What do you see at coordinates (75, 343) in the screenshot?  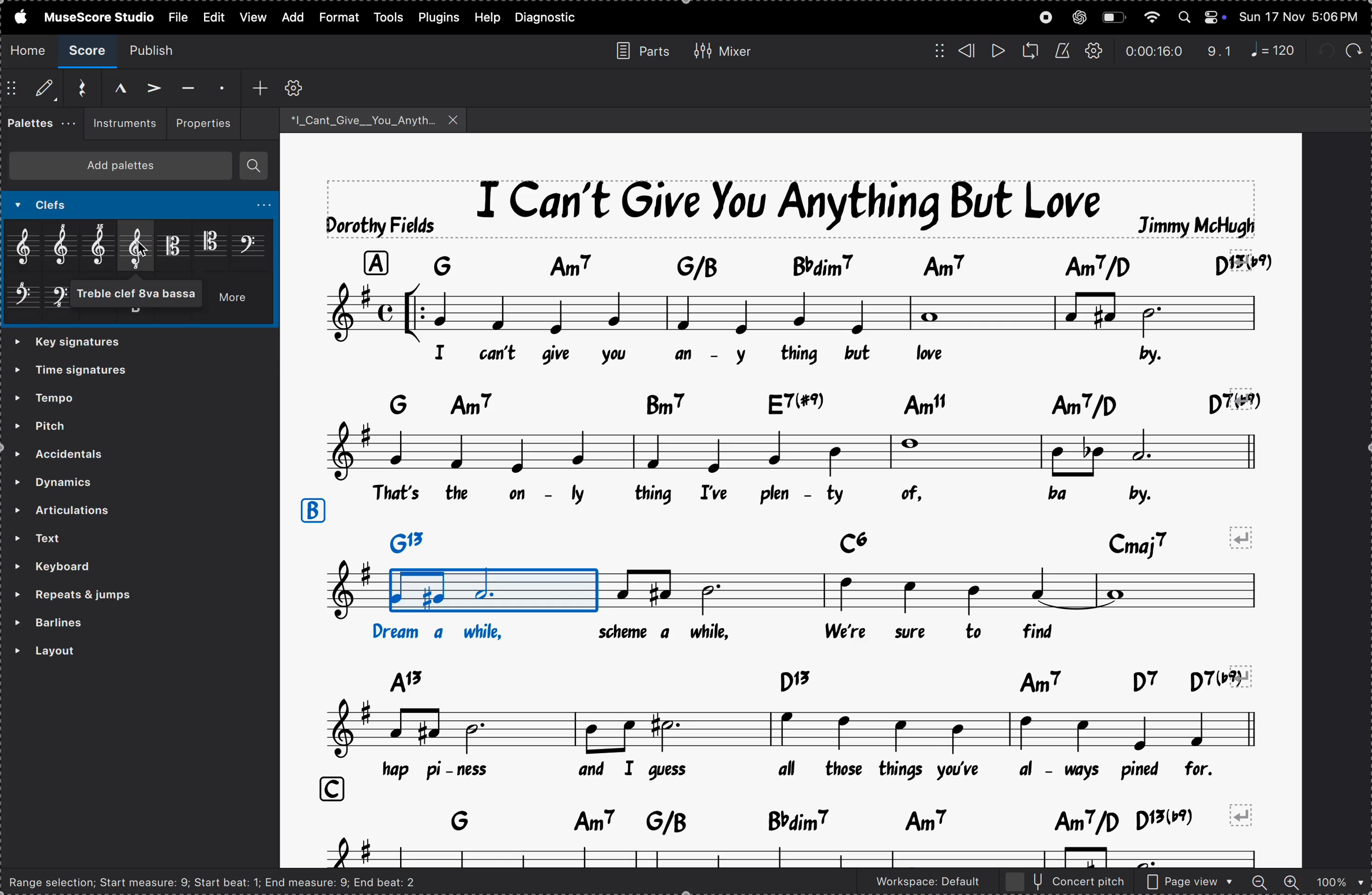 I see `» Time signatures` at bounding box center [75, 343].